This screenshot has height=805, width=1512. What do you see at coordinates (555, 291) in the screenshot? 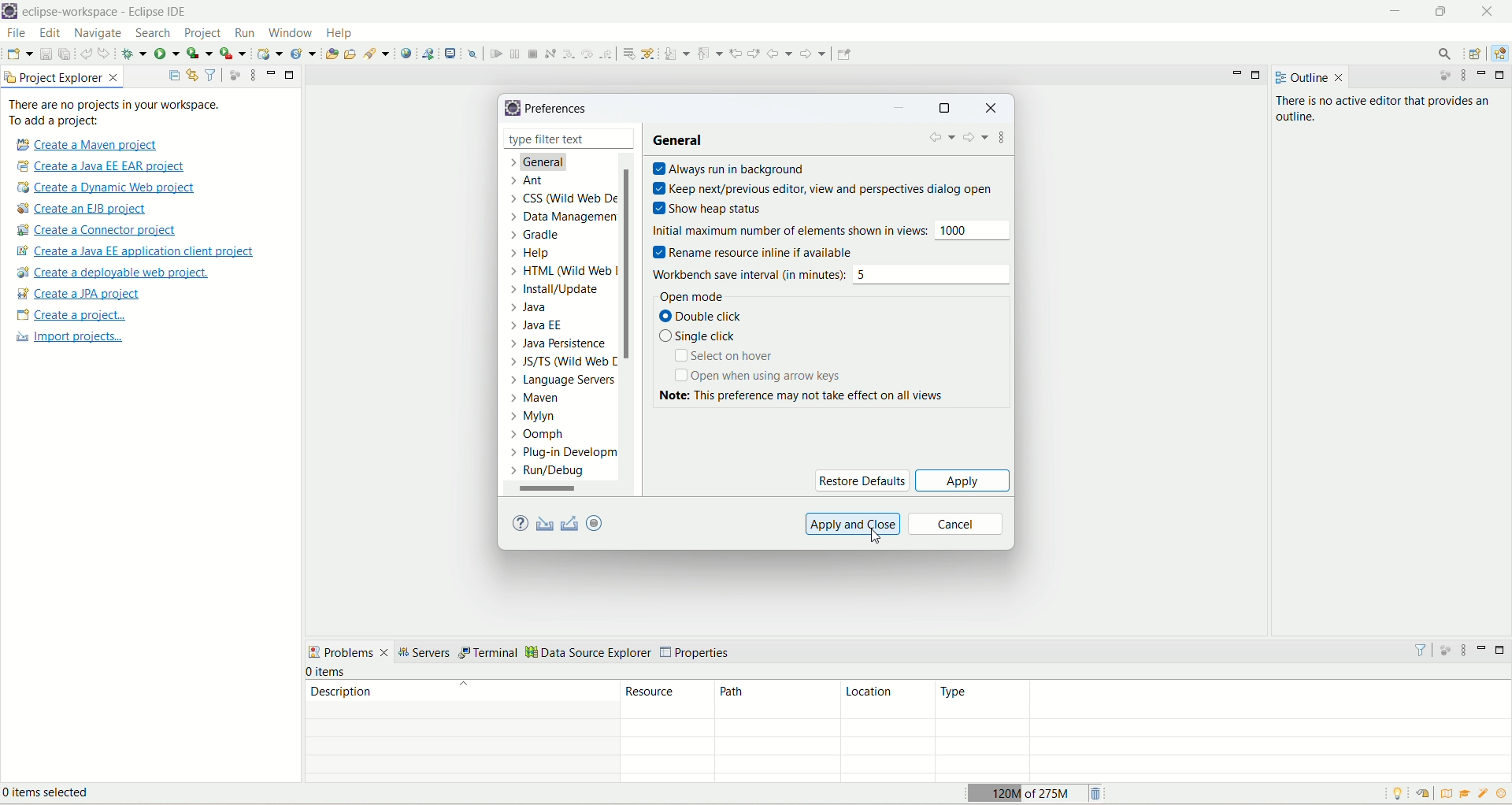
I see `Instal/update` at bounding box center [555, 291].